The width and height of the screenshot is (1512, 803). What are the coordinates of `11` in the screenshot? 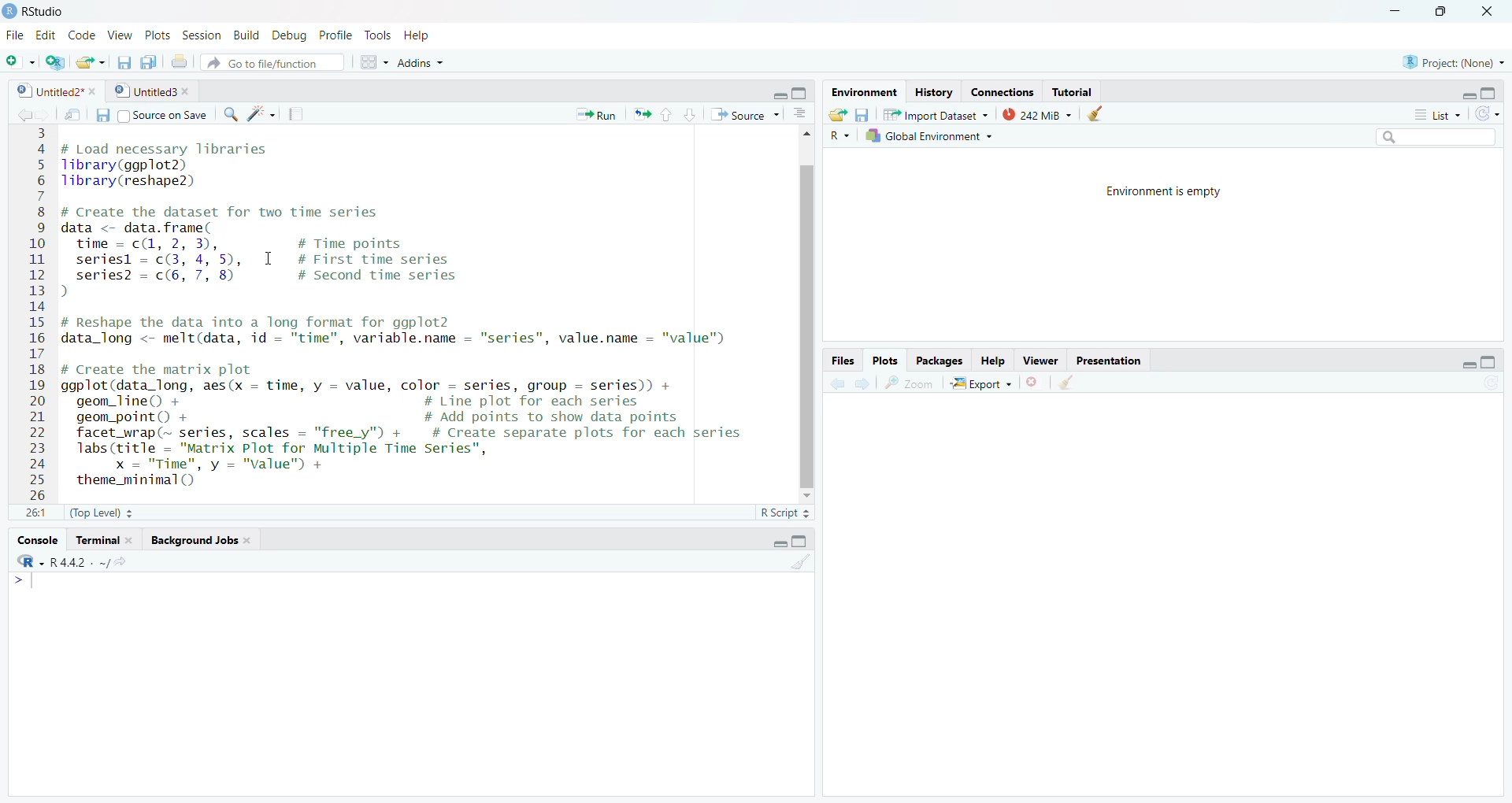 It's located at (36, 513).